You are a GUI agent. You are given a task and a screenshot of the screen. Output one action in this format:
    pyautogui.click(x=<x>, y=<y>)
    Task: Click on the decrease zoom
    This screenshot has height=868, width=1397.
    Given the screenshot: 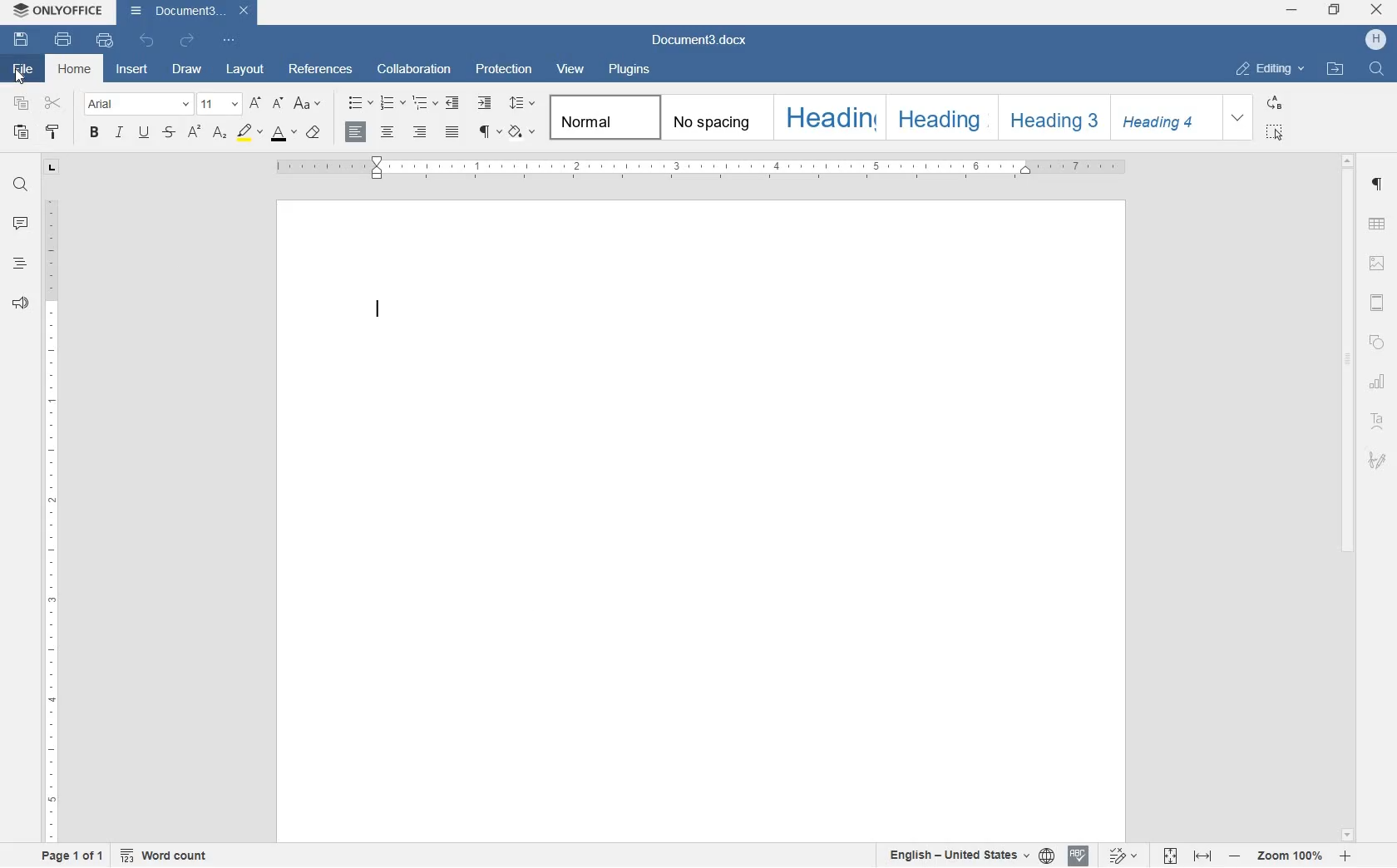 What is the action you would take?
    pyautogui.click(x=1235, y=853)
    